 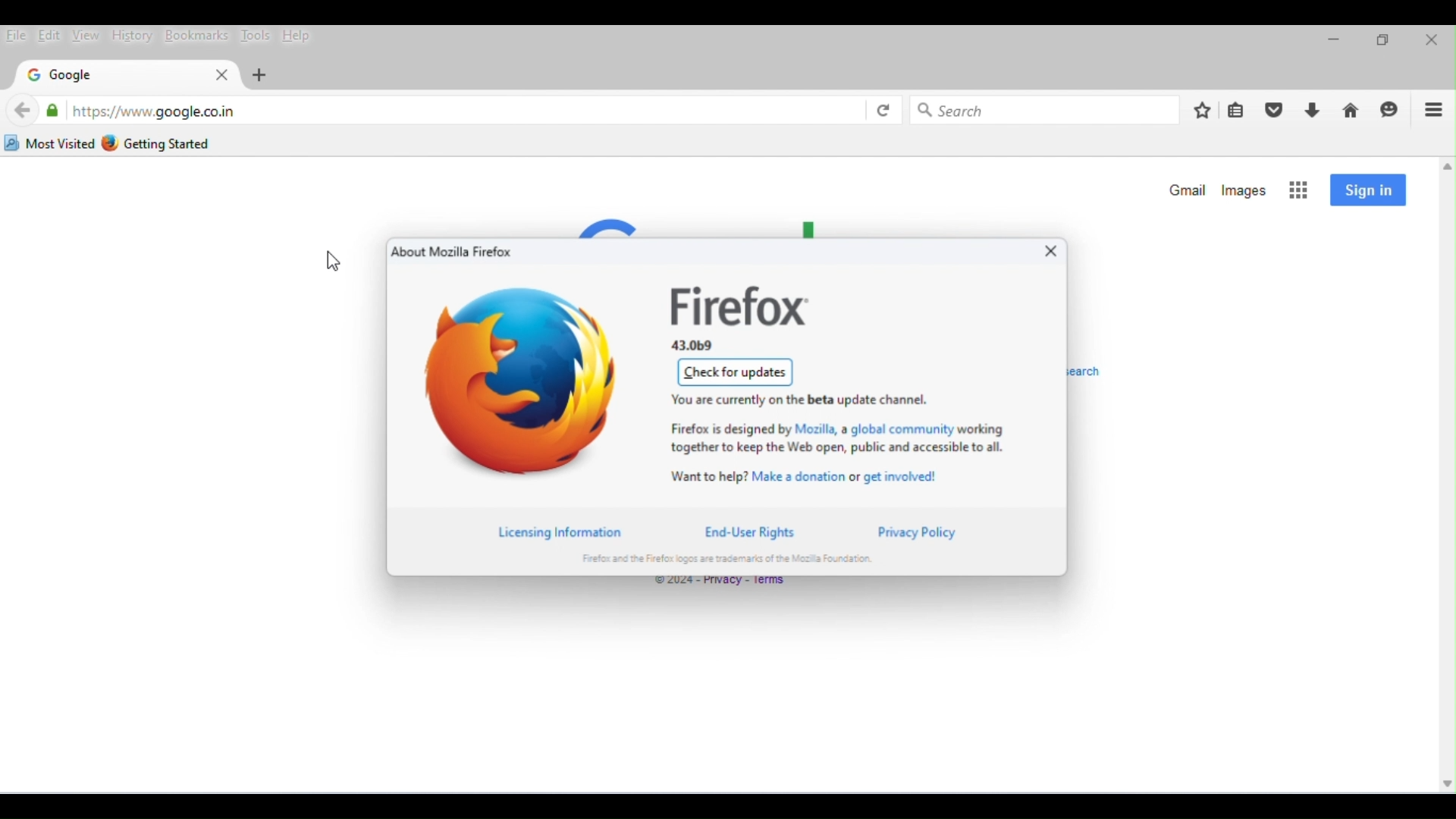 I want to click on search bar, so click(x=1048, y=108).